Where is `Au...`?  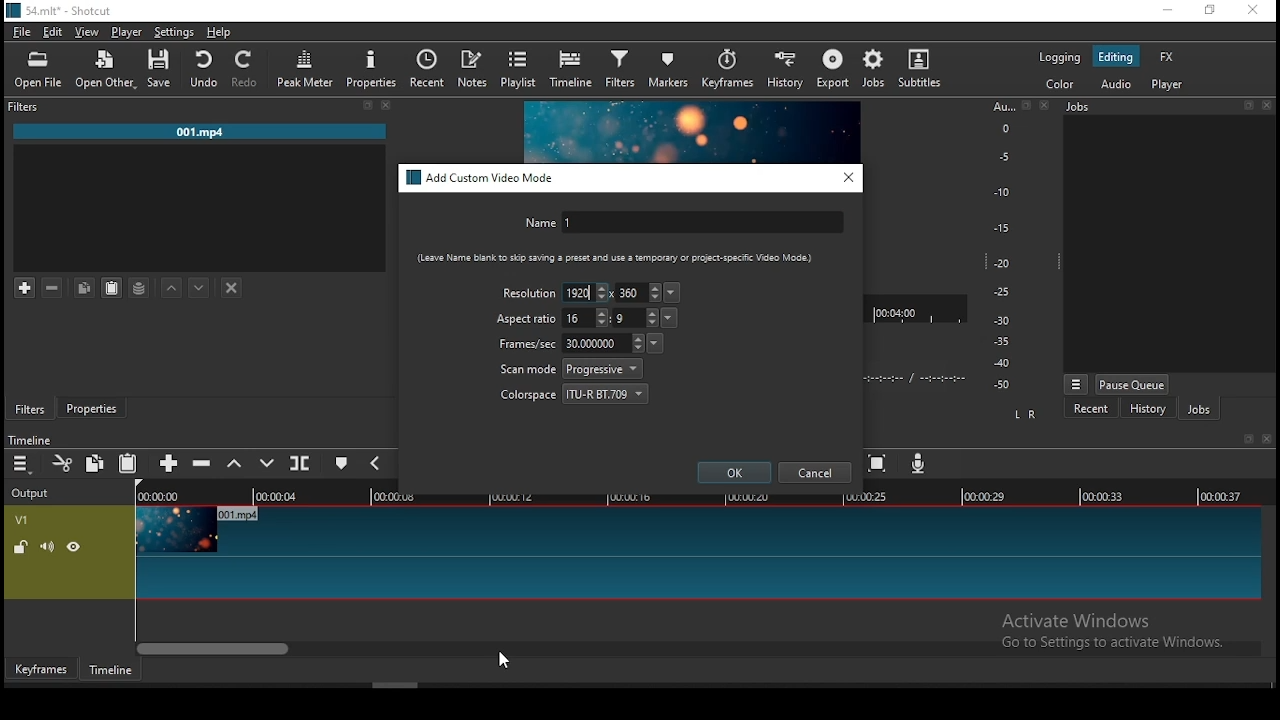 Au... is located at coordinates (1000, 106).